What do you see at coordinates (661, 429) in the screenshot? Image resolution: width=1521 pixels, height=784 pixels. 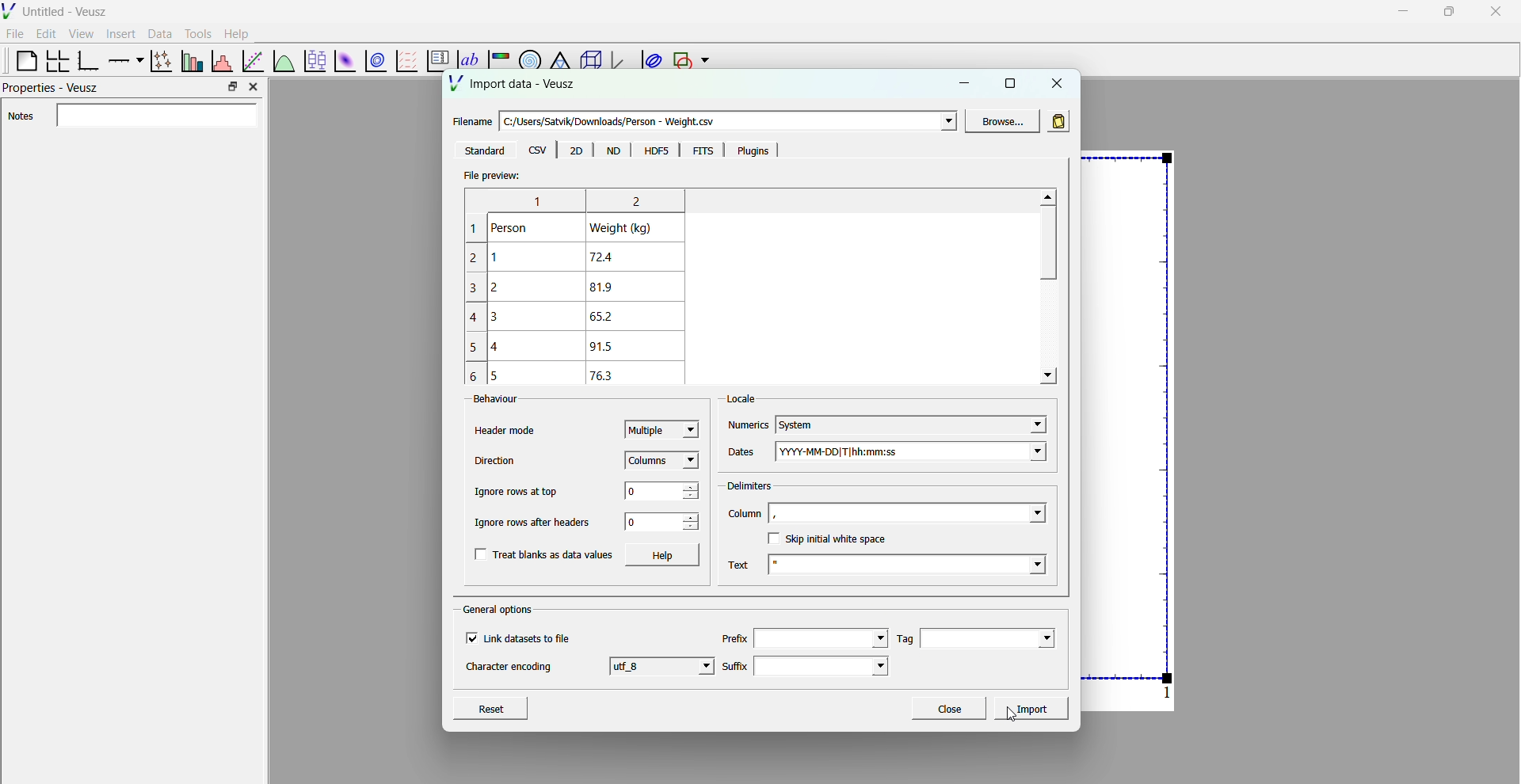 I see `Multiple - dropdown` at bounding box center [661, 429].